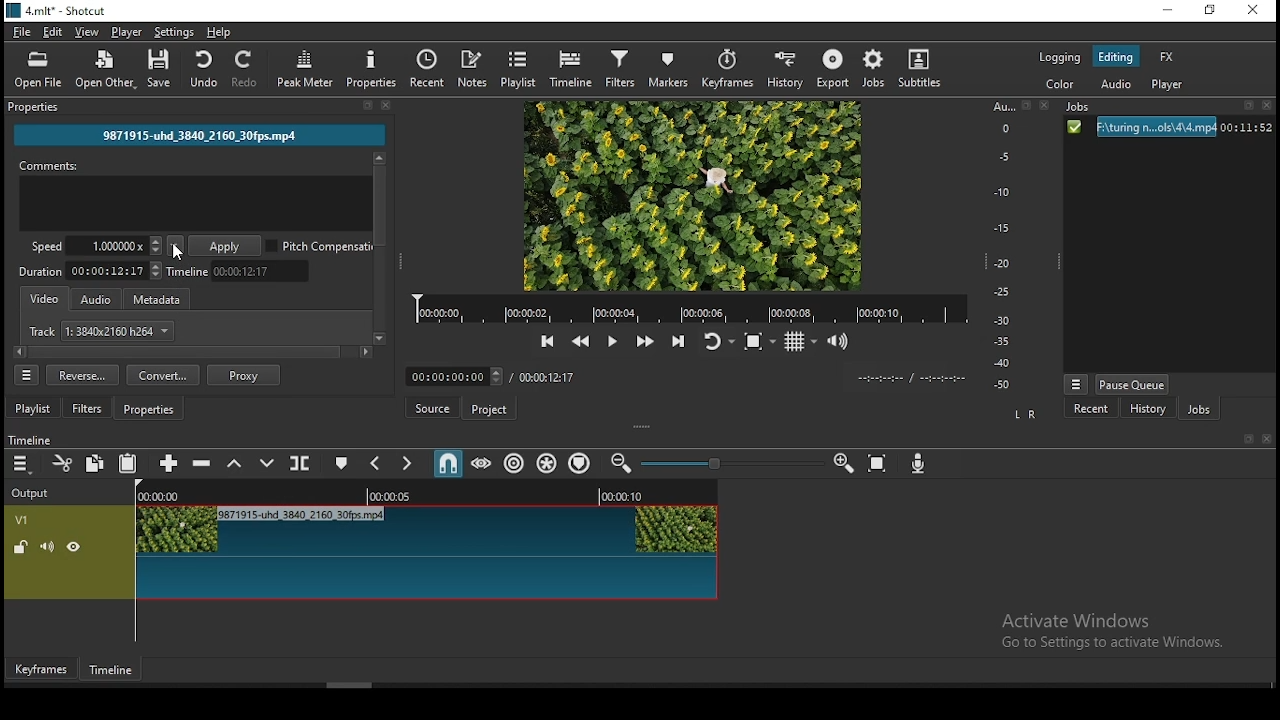 The image size is (1280, 720). Describe the element at coordinates (580, 342) in the screenshot. I see `play quickly backwards` at that location.